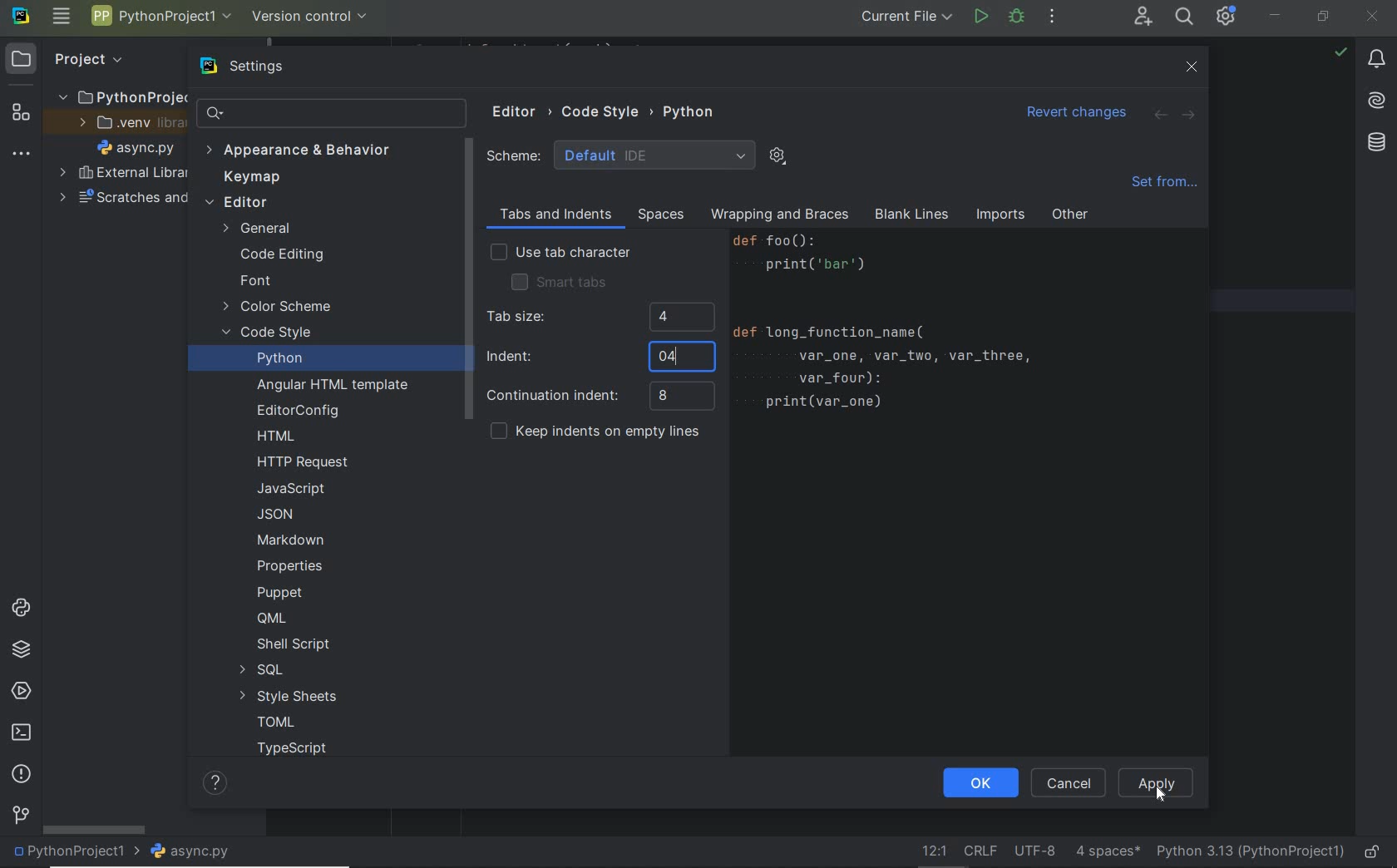  I want to click on HTTP REQUEST, so click(305, 462).